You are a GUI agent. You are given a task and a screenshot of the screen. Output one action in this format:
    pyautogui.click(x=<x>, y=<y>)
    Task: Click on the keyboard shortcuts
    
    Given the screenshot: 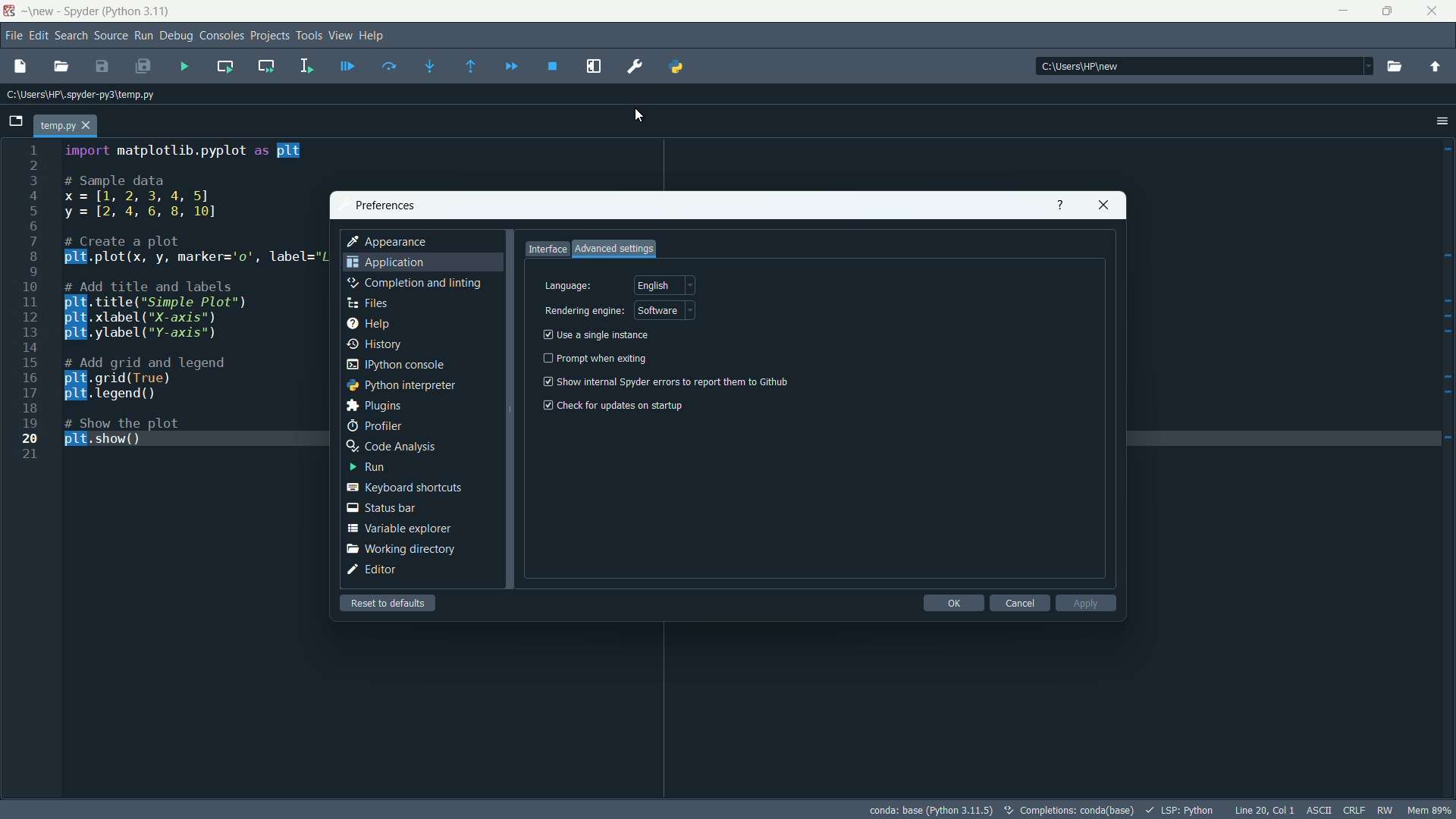 What is the action you would take?
    pyautogui.click(x=404, y=487)
    